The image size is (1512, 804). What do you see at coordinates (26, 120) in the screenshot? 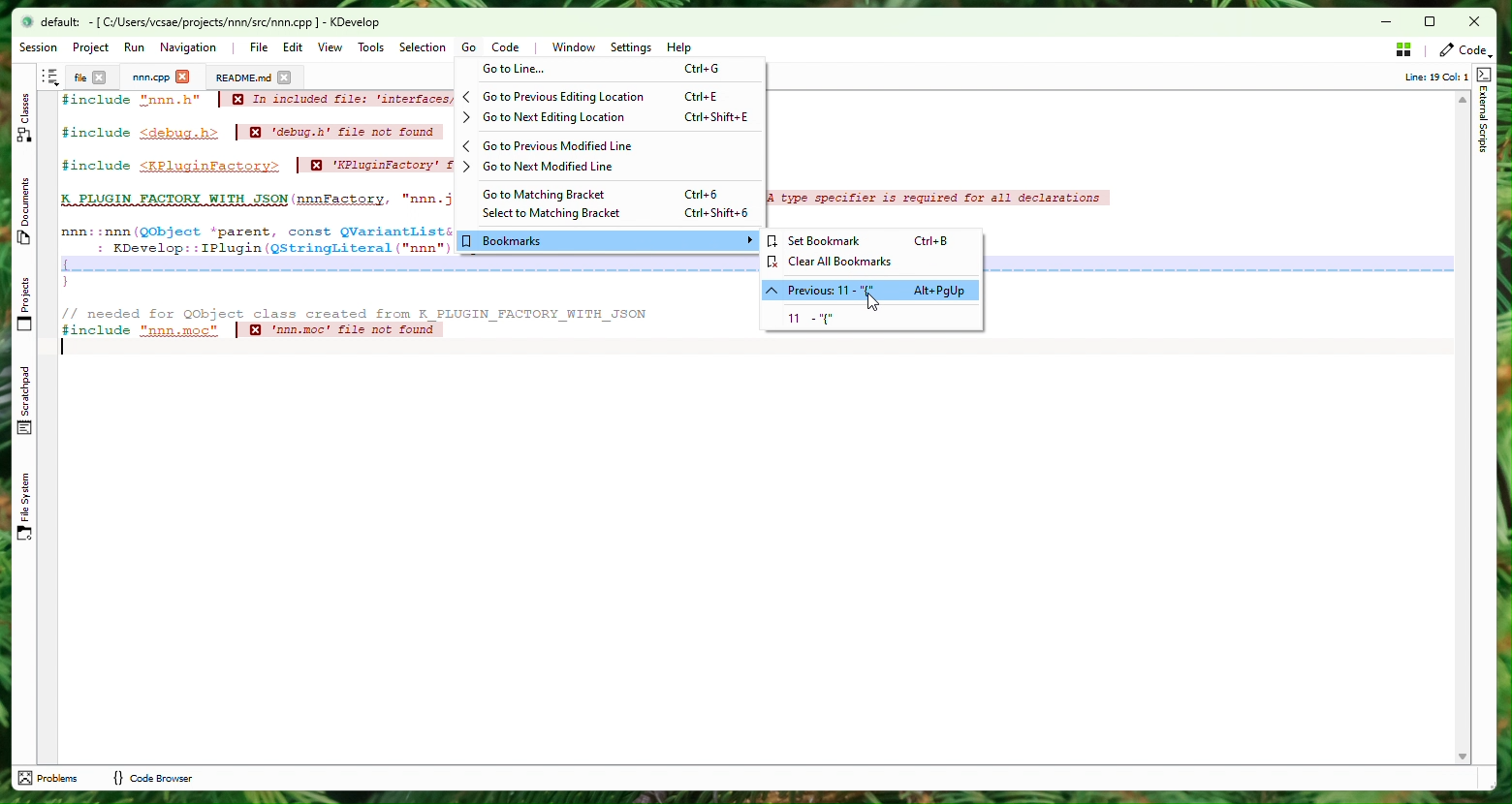
I see `Class` at bounding box center [26, 120].